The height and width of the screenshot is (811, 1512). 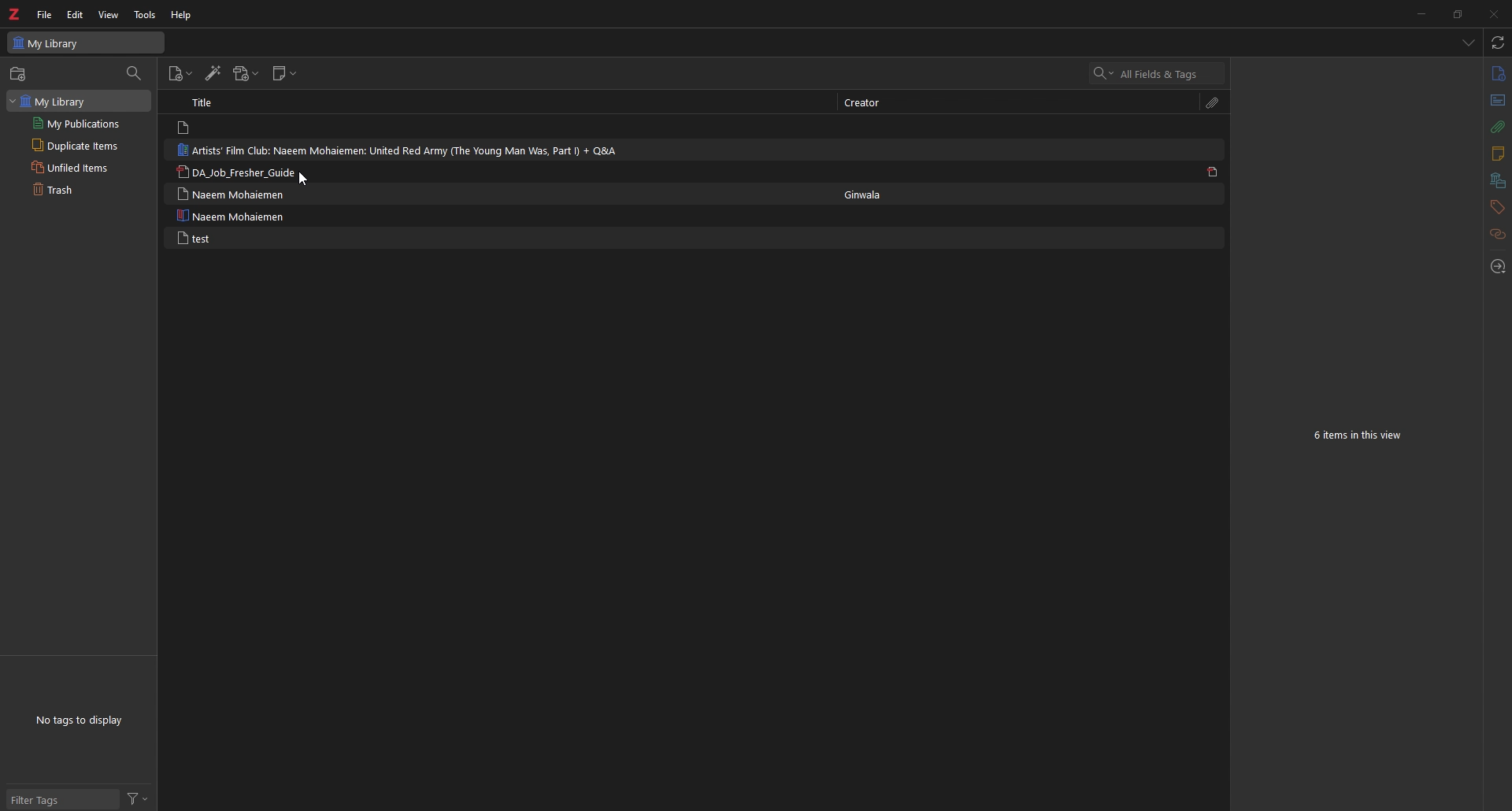 What do you see at coordinates (77, 14) in the screenshot?
I see `edit` at bounding box center [77, 14].